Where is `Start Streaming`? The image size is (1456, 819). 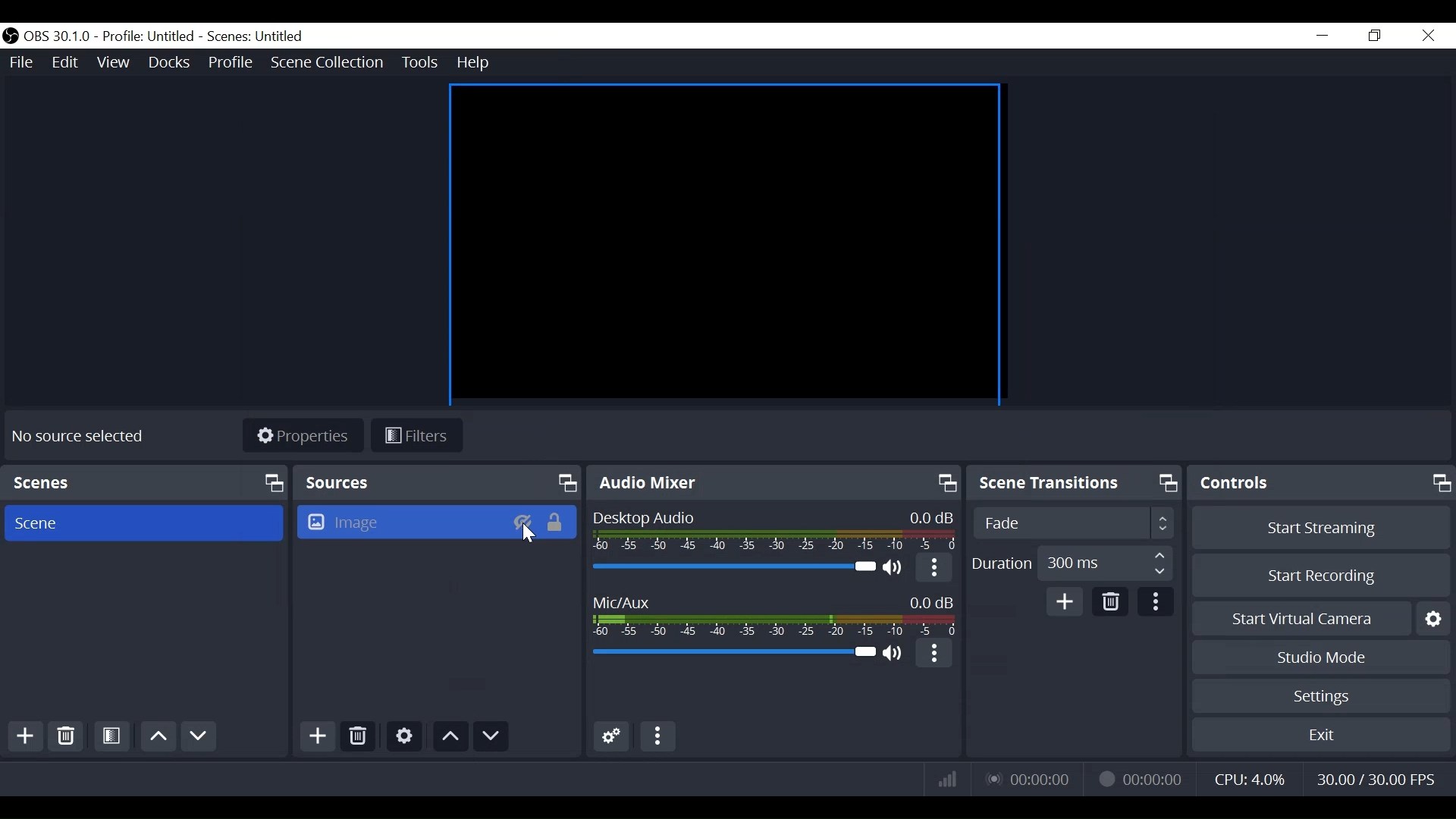 Start Streaming is located at coordinates (1322, 528).